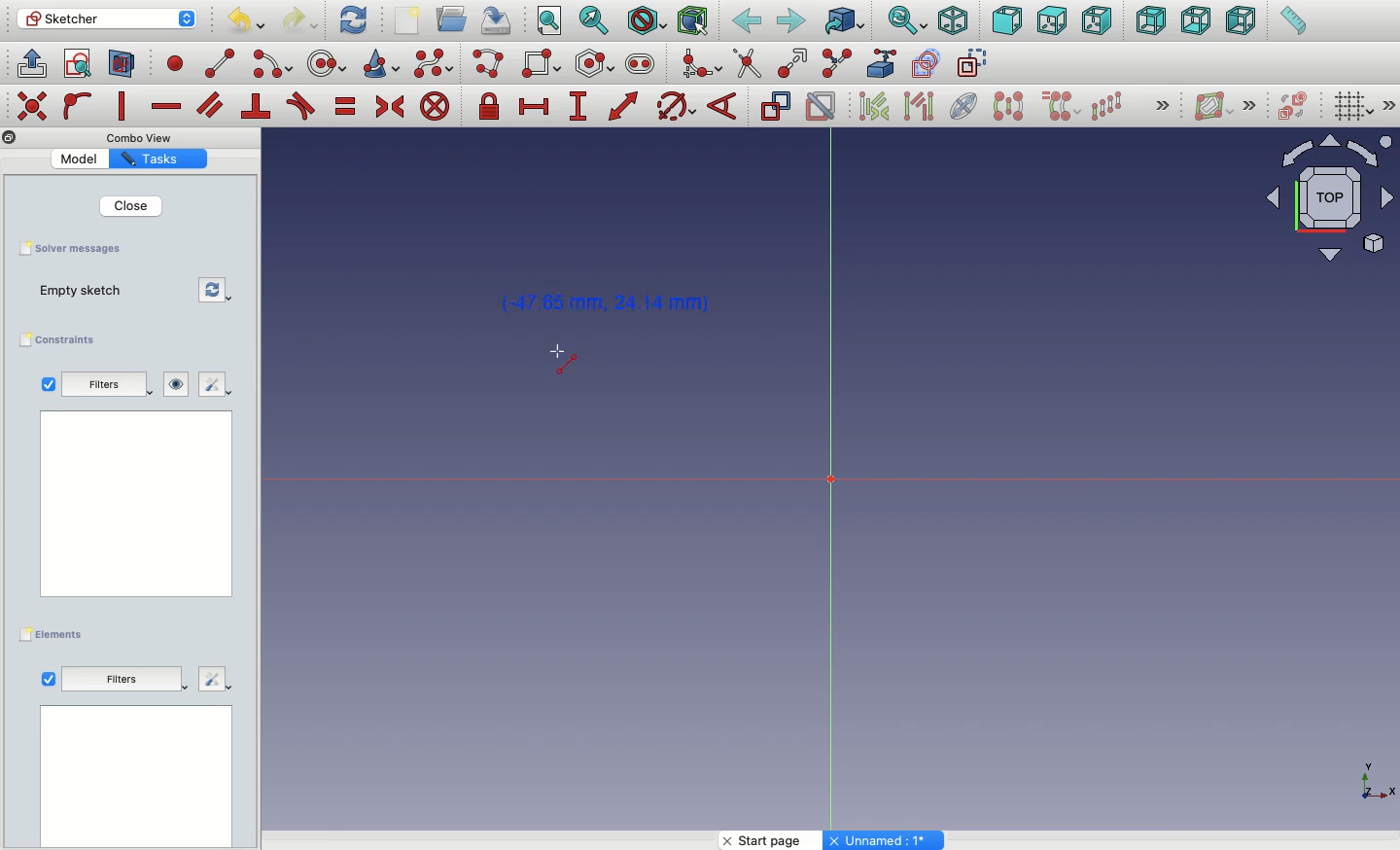 The height and width of the screenshot is (850, 1400). What do you see at coordinates (177, 66) in the screenshot?
I see `point` at bounding box center [177, 66].